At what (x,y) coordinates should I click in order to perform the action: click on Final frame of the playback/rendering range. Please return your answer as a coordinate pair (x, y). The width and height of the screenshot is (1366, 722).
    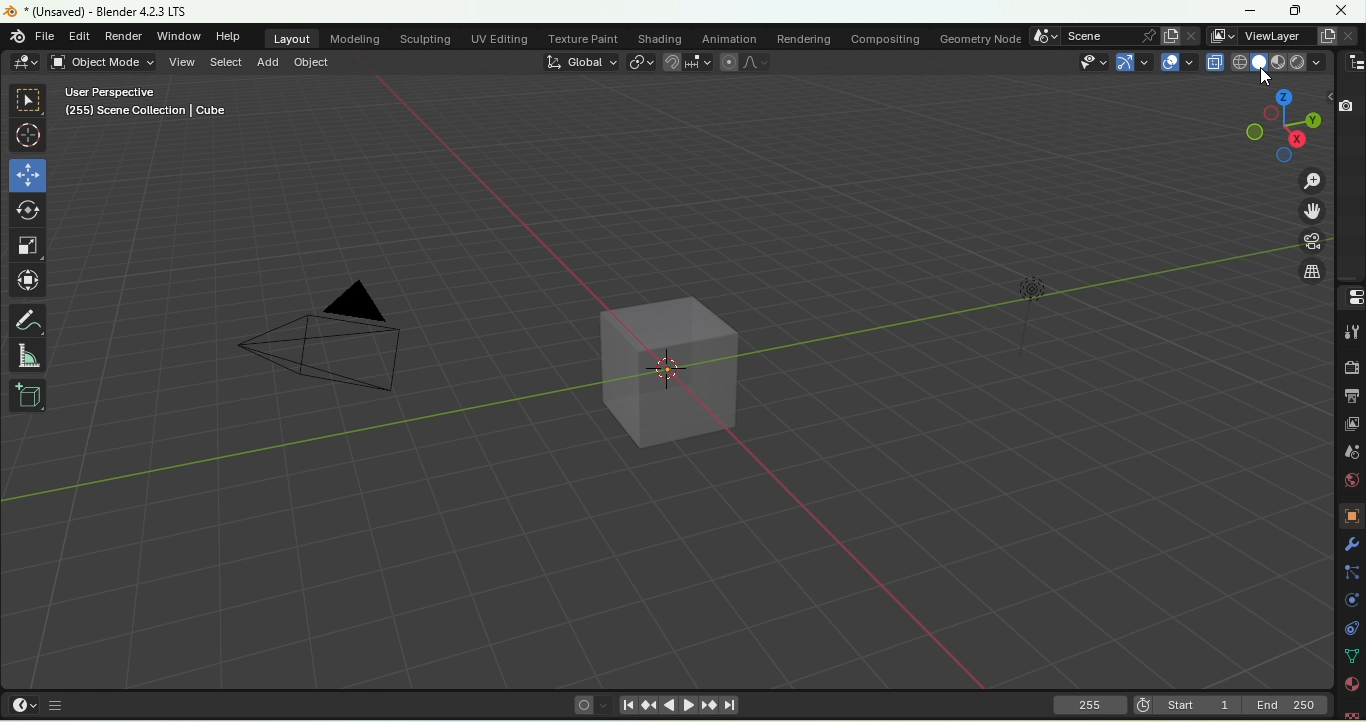
    Looking at the image, I should click on (1286, 704).